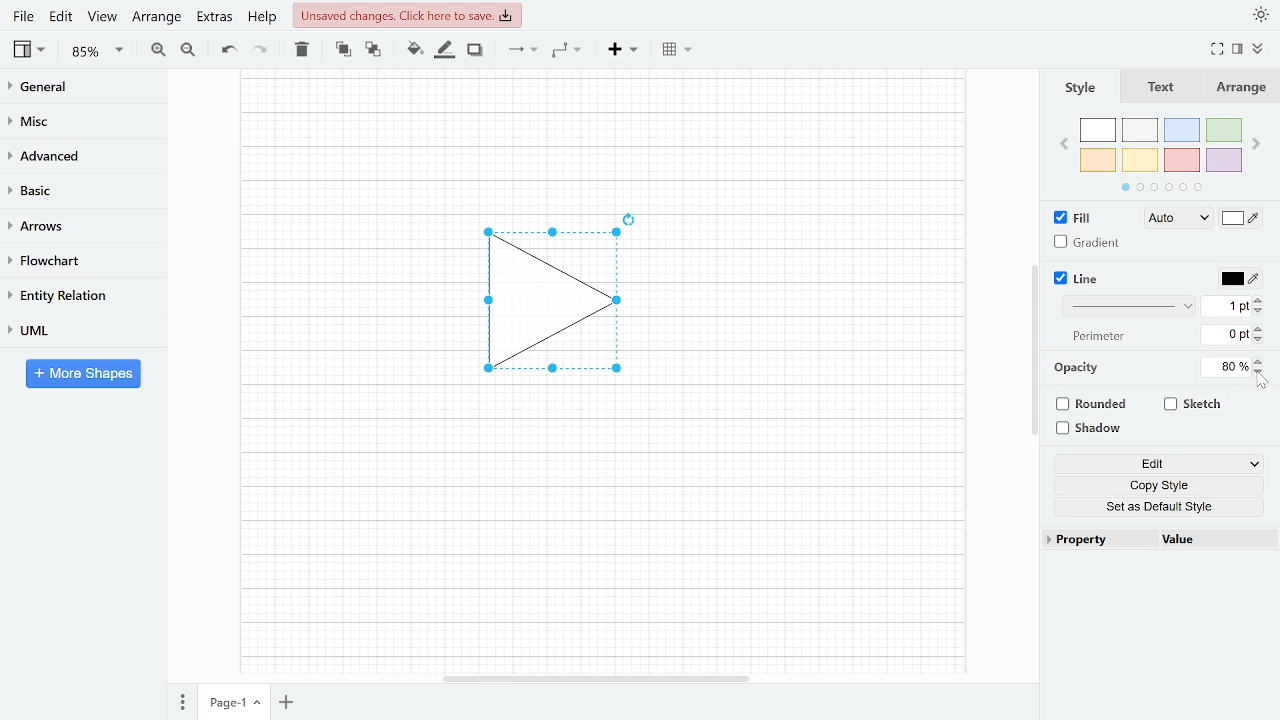 The image size is (1280, 720). I want to click on white, so click(1098, 131).